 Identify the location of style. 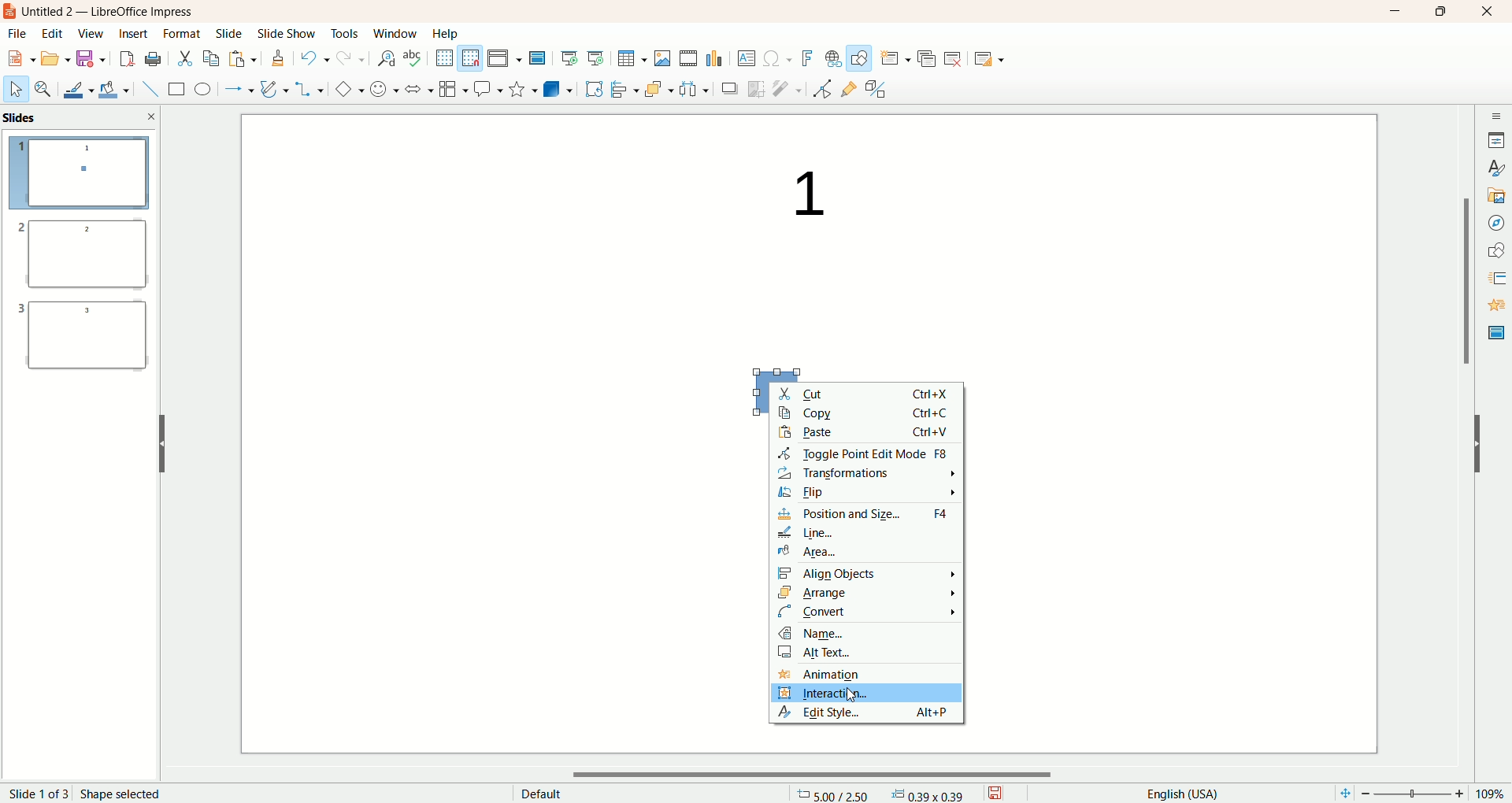
(1495, 168).